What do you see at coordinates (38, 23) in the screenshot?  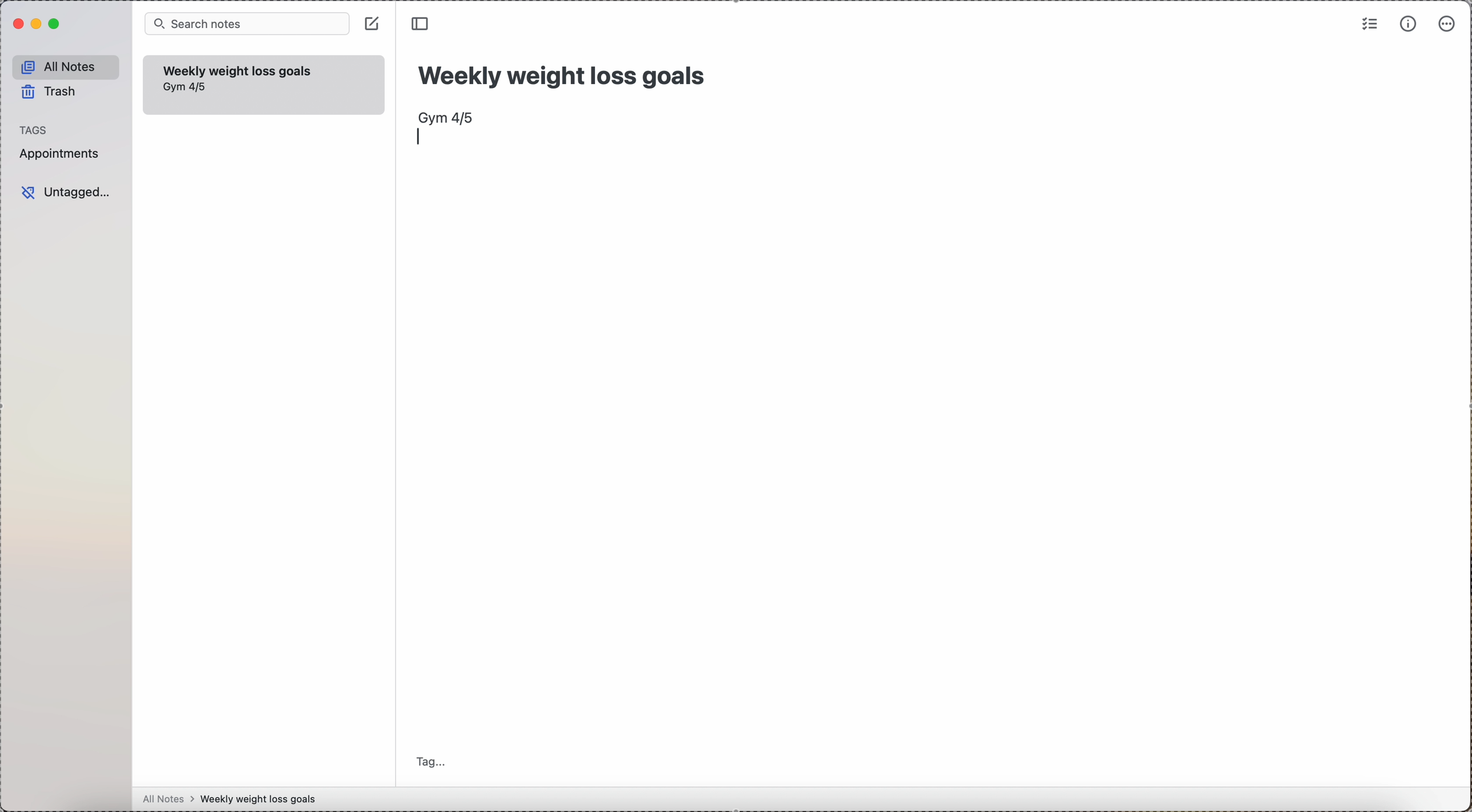 I see `minimize Simplenote` at bounding box center [38, 23].